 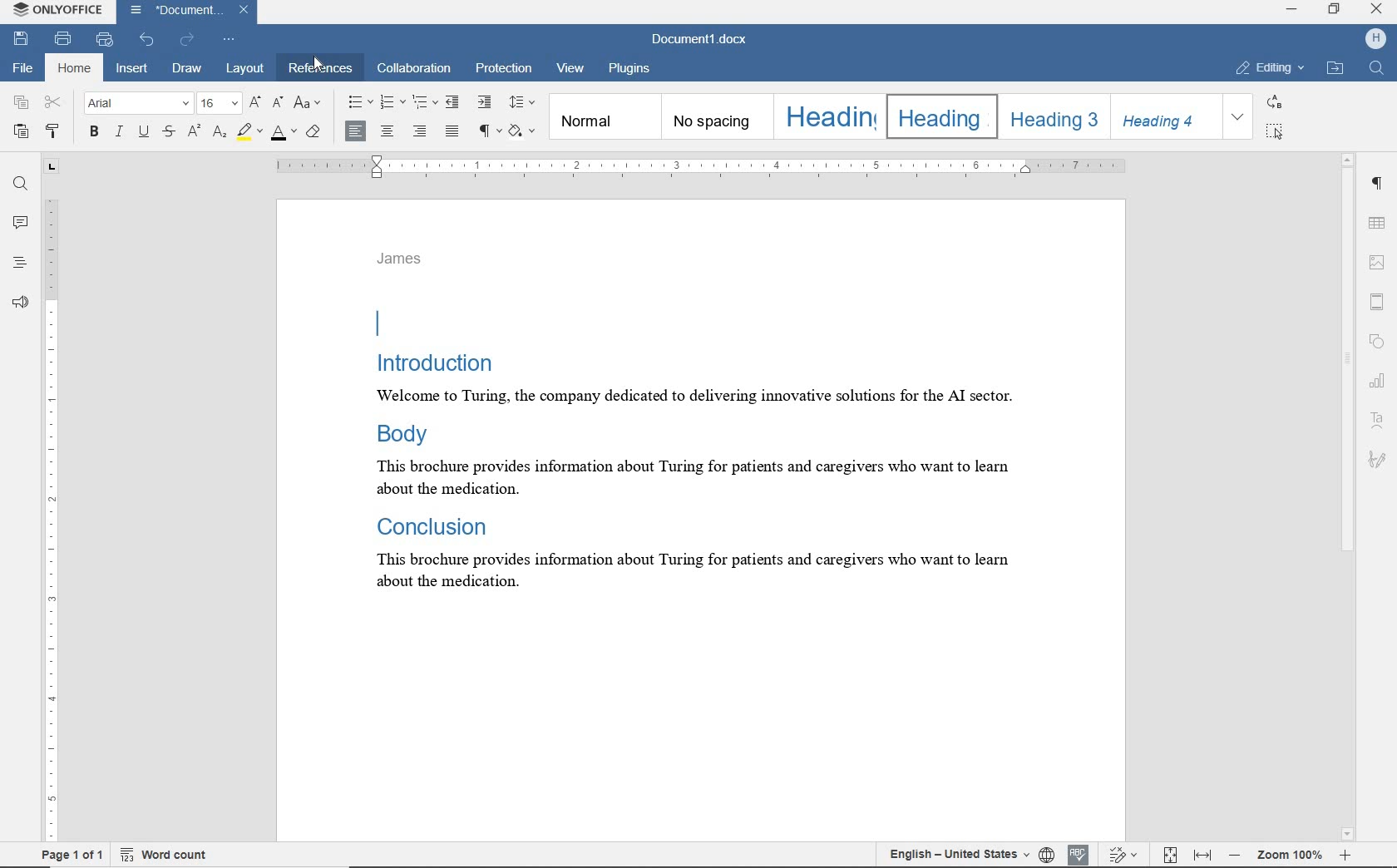 I want to click on increment font size, so click(x=255, y=103).